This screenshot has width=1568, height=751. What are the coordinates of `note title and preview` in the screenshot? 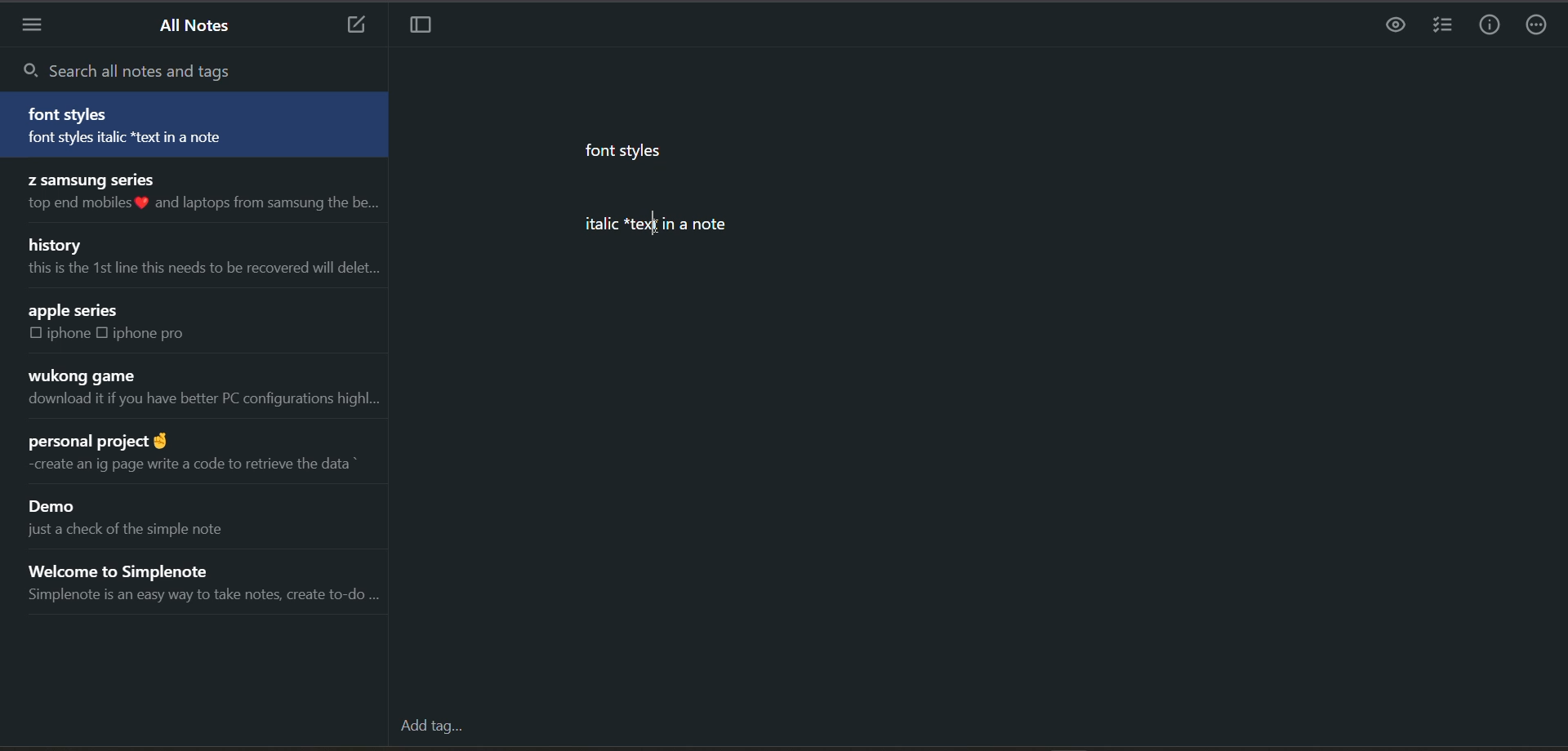 It's located at (145, 516).